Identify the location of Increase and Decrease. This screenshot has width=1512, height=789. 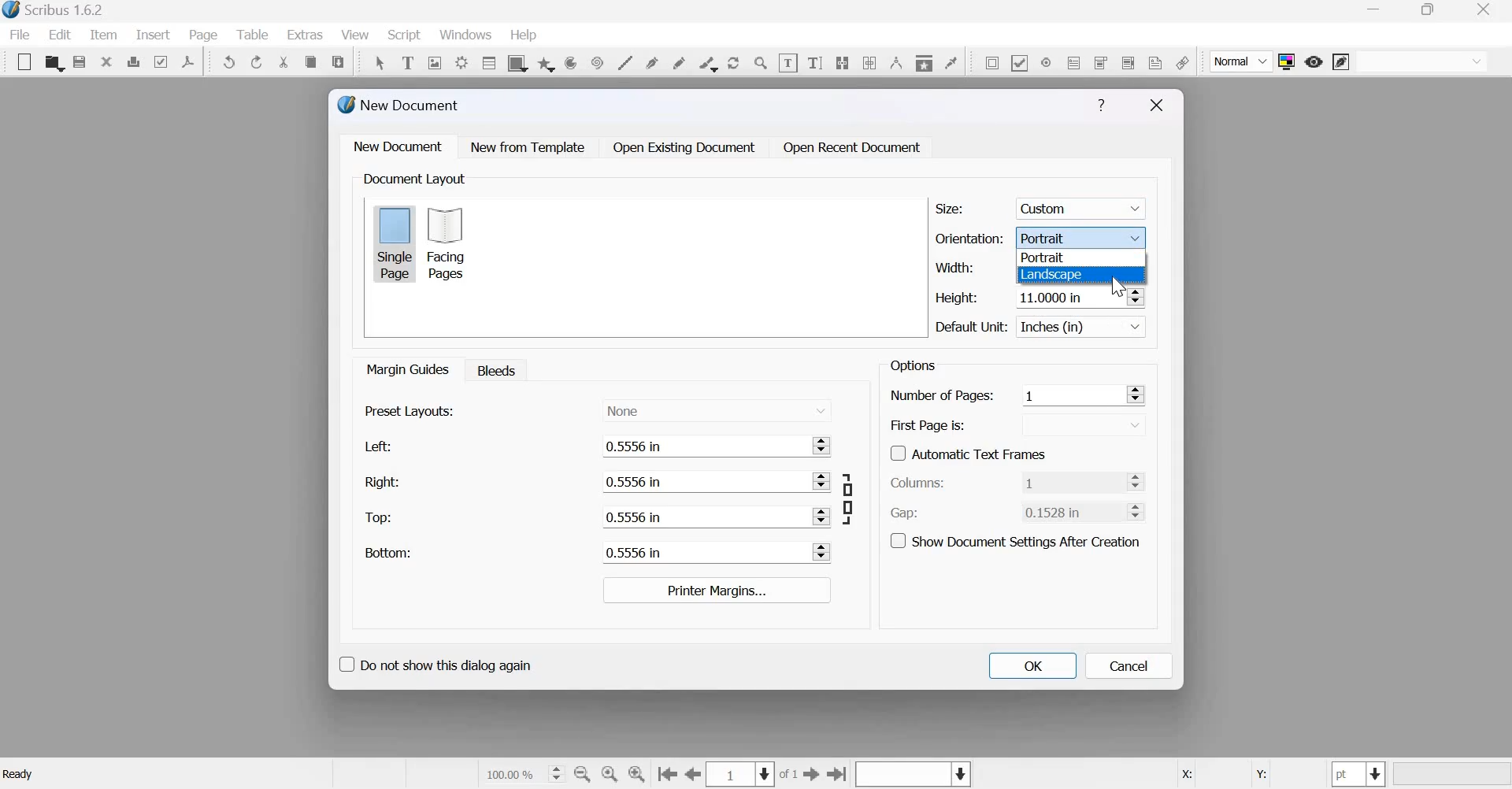
(1135, 296).